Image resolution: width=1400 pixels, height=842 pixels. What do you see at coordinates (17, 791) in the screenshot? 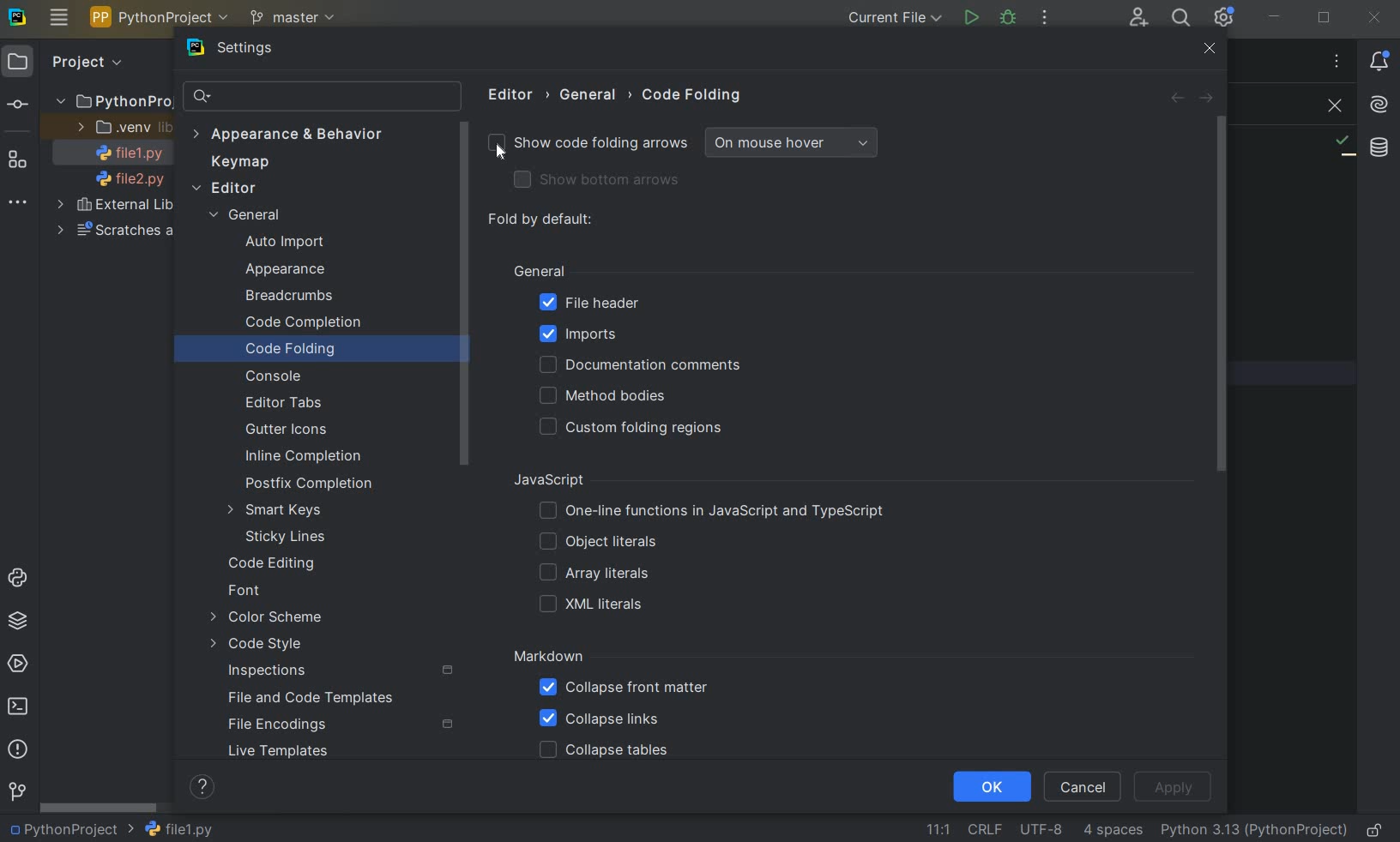
I see `GIT` at bounding box center [17, 791].